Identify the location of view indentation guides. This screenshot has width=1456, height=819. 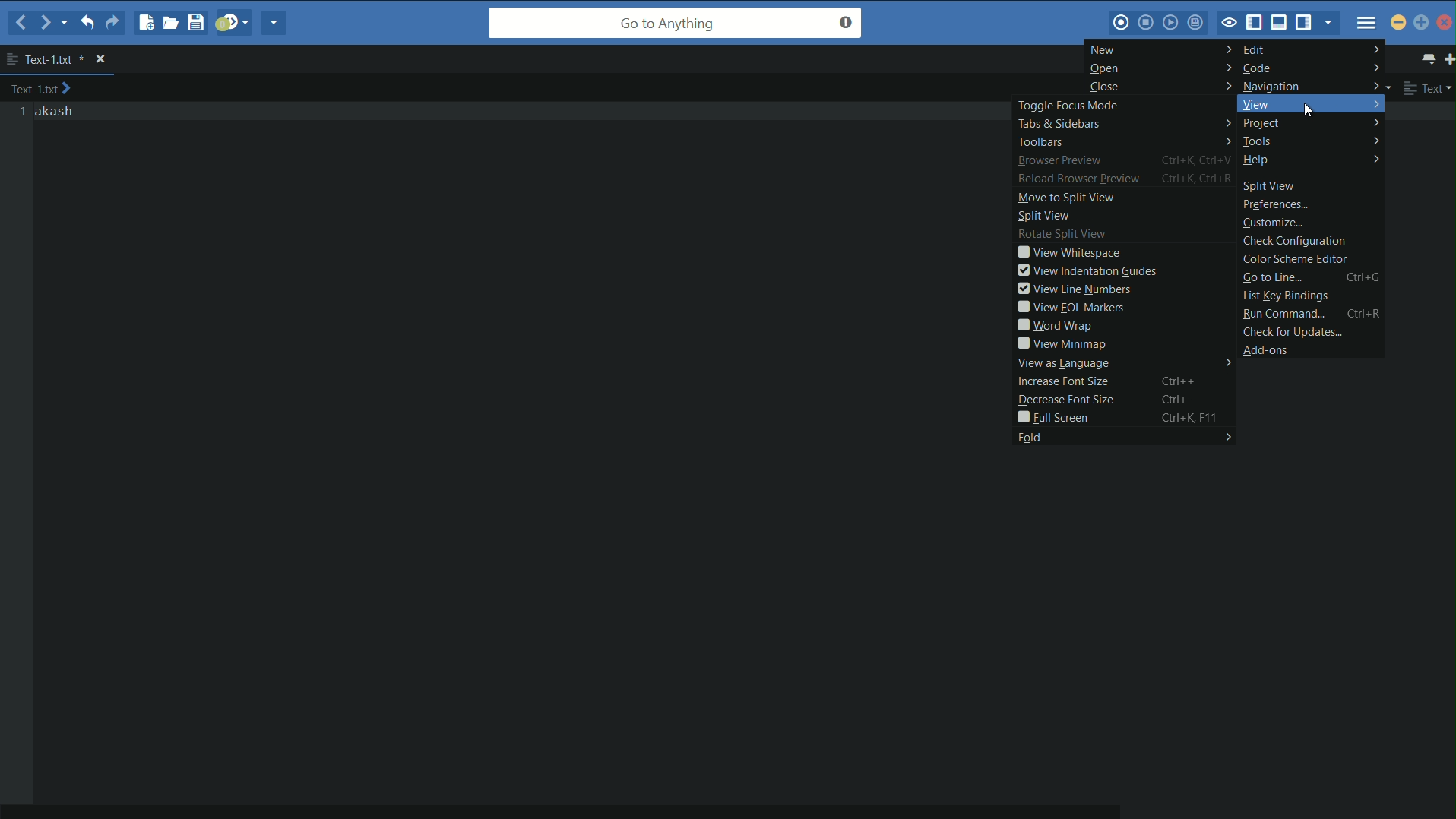
(1125, 270).